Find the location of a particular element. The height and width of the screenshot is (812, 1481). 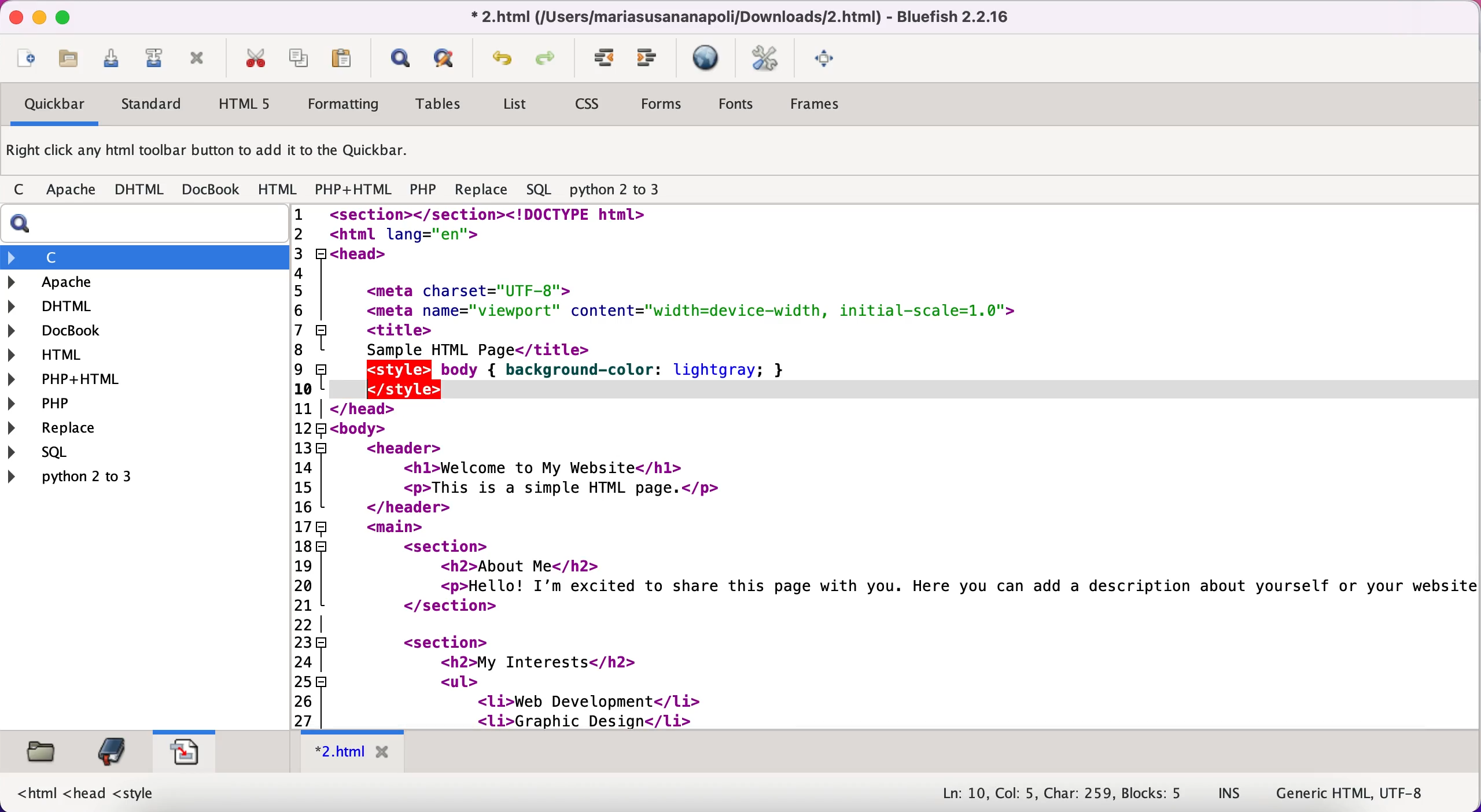

docbook is located at coordinates (64, 332).